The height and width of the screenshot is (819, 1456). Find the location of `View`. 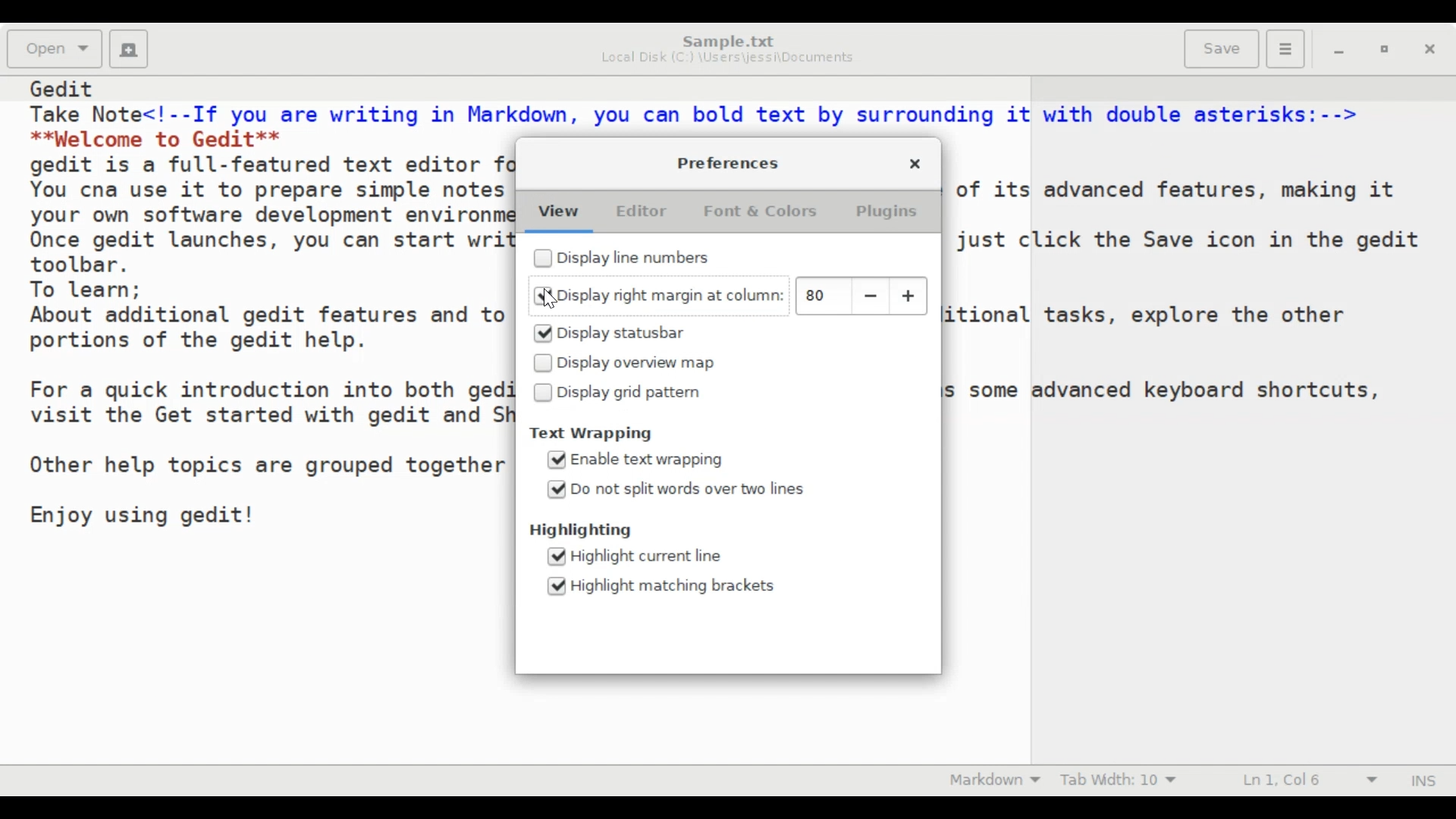

View is located at coordinates (562, 212).